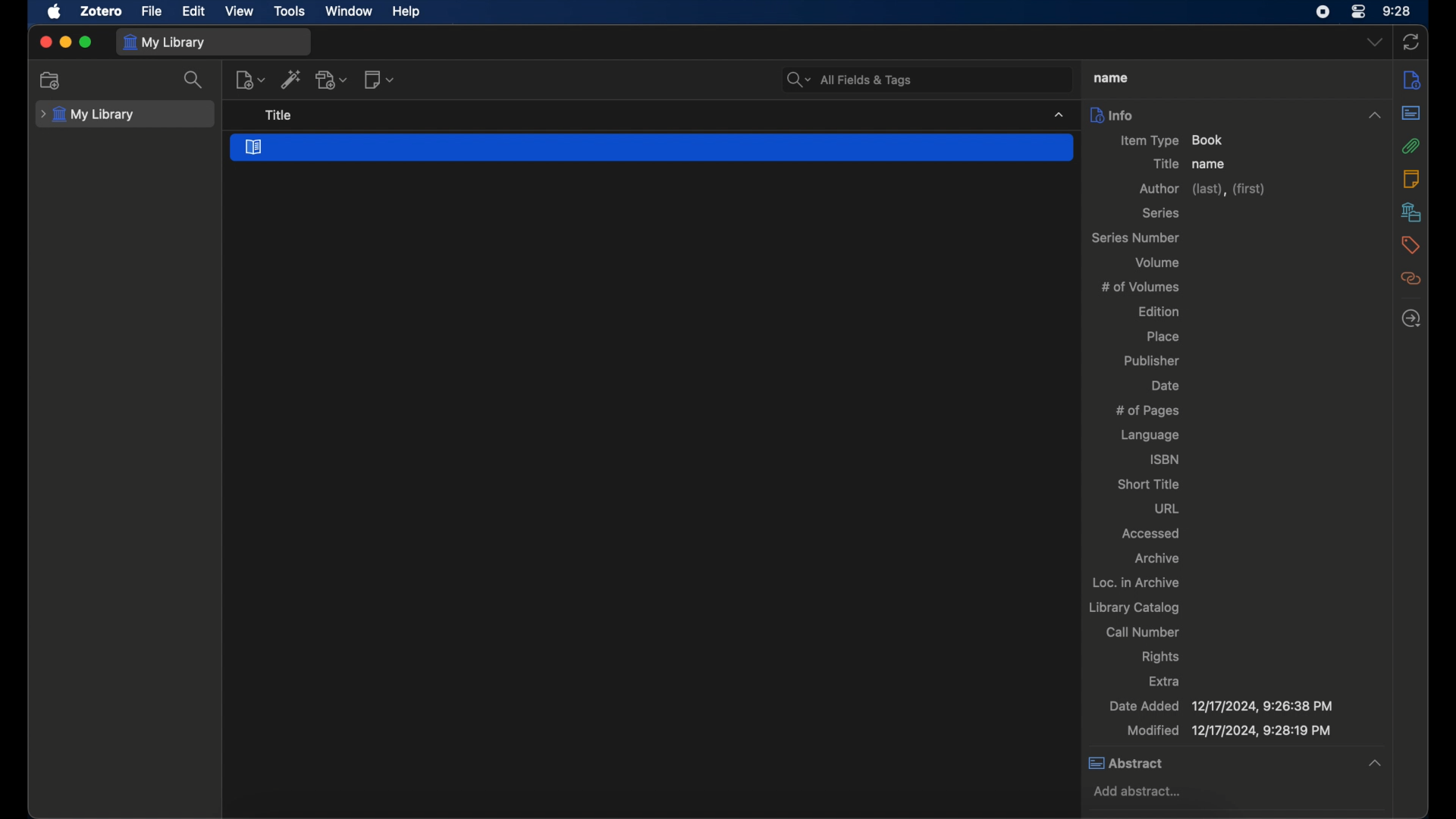  Describe the element at coordinates (1143, 287) in the screenshot. I see `no of volumes` at that location.